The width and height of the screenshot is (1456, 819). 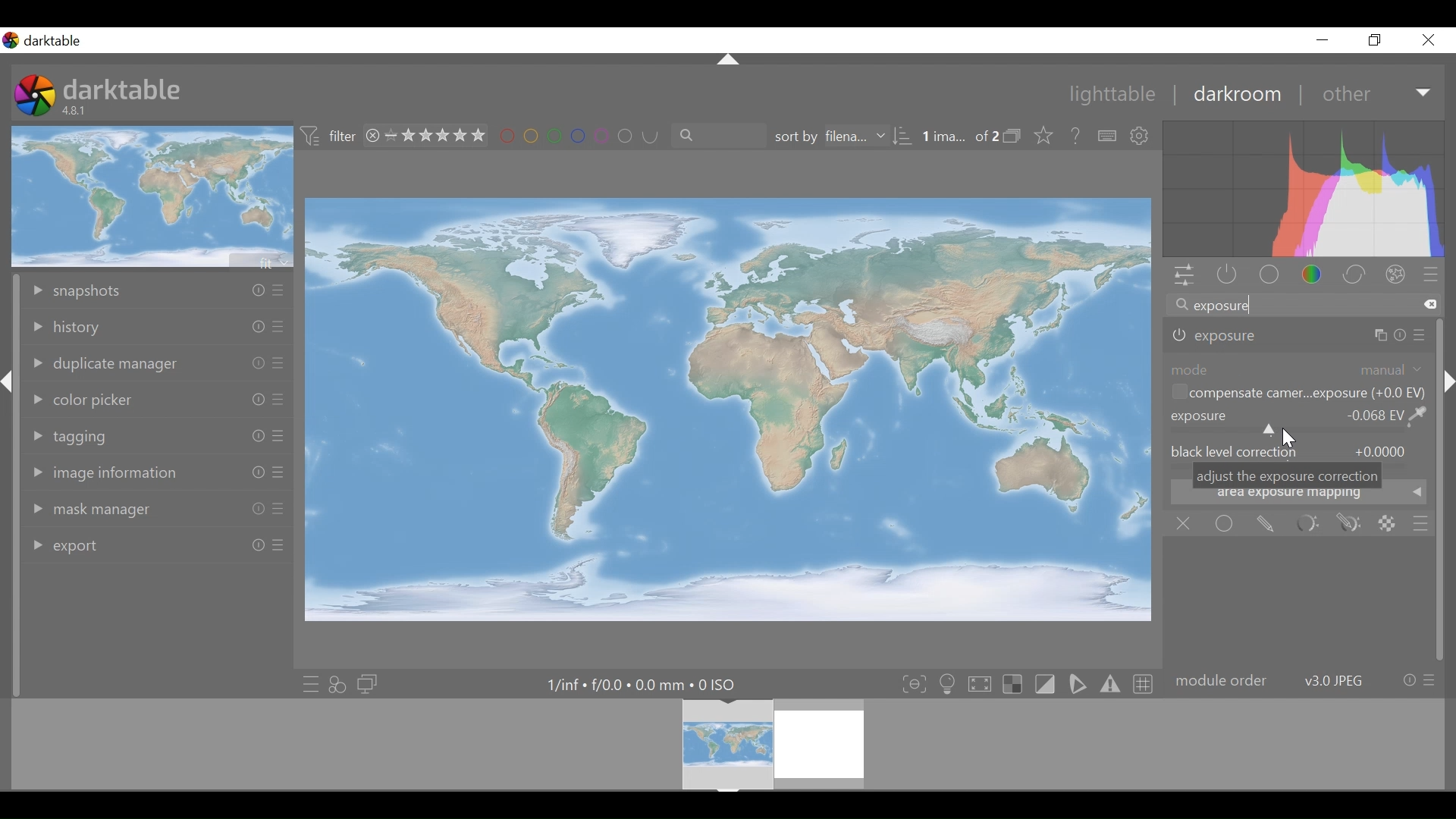 What do you see at coordinates (1014, 136) in the screenshot?
I see `collapse grouped image` at bounding box center [1014, 136].